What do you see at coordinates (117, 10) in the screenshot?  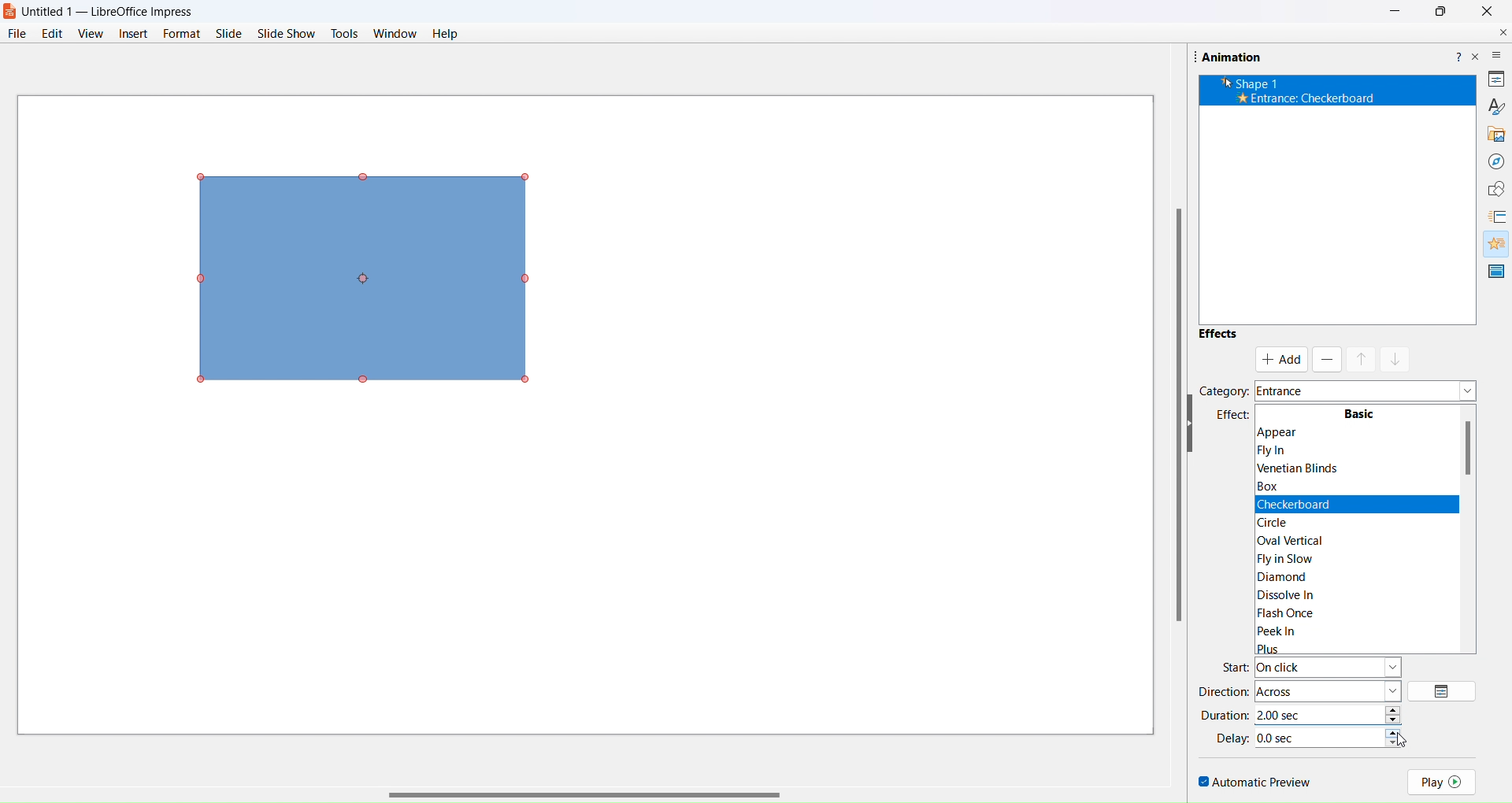 I see `Untitled 1 — LibreOffice Impress` at bounding box center [117, 10].